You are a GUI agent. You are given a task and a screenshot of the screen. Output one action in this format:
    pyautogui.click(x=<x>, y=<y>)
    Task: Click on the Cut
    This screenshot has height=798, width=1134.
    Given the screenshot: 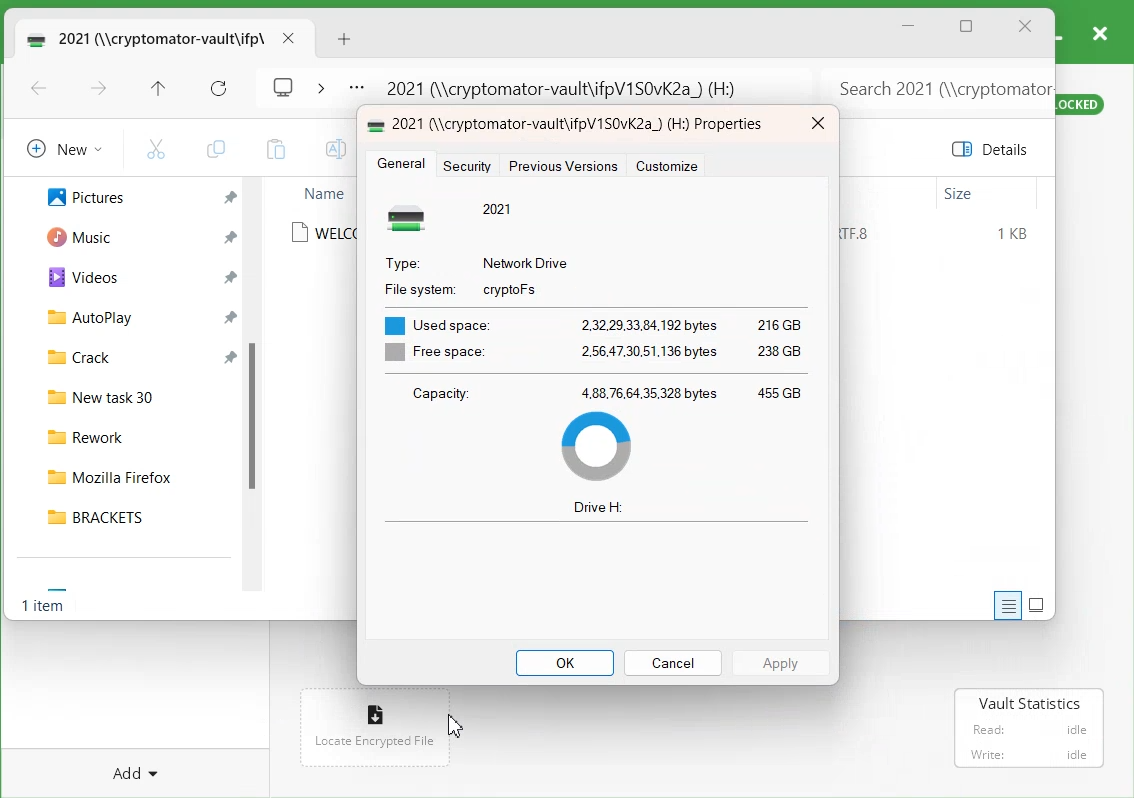 What is the action you would take?
    pyautogui.click(x=156, y=148)
    